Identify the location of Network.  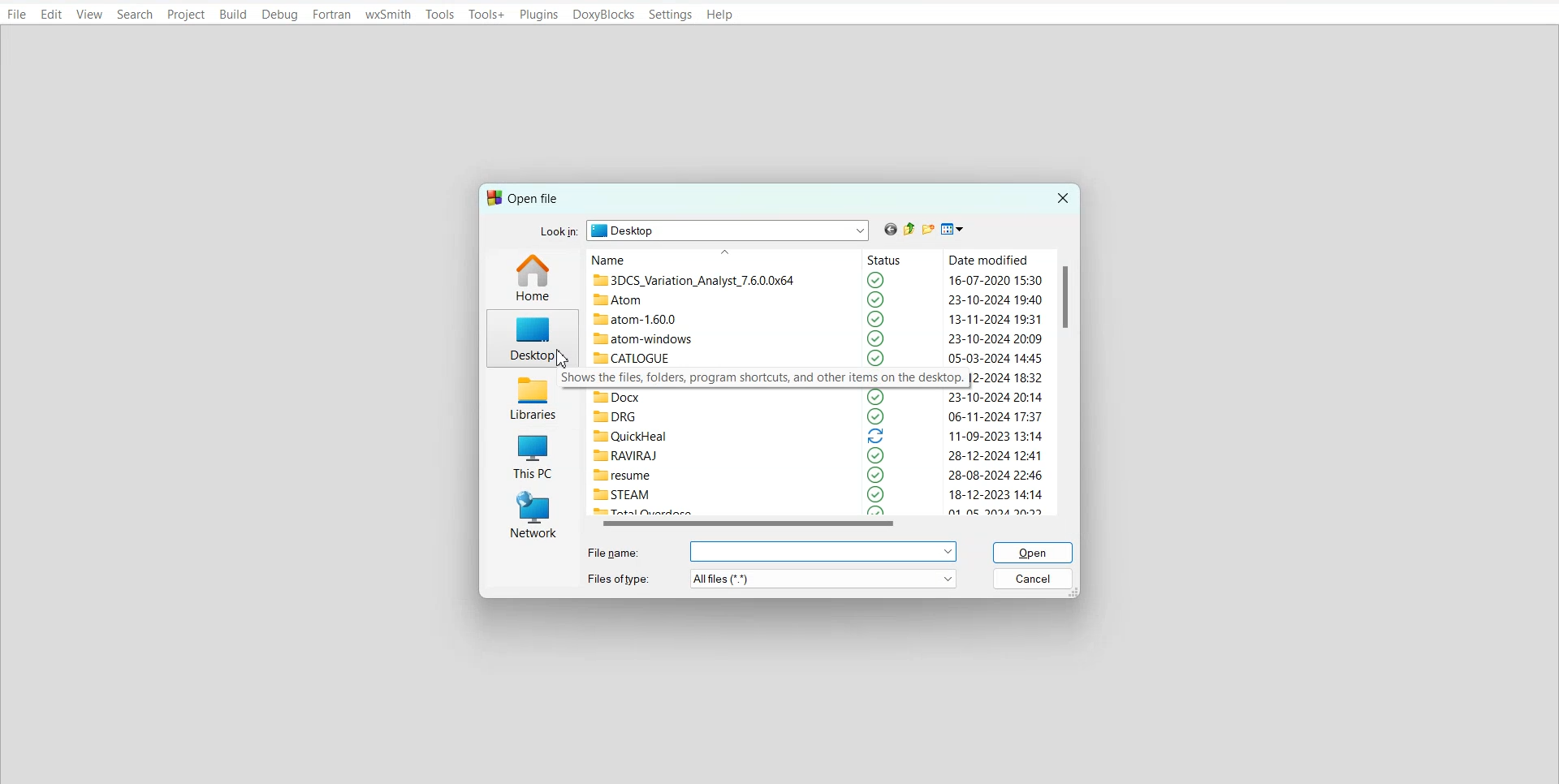
(525, 515).